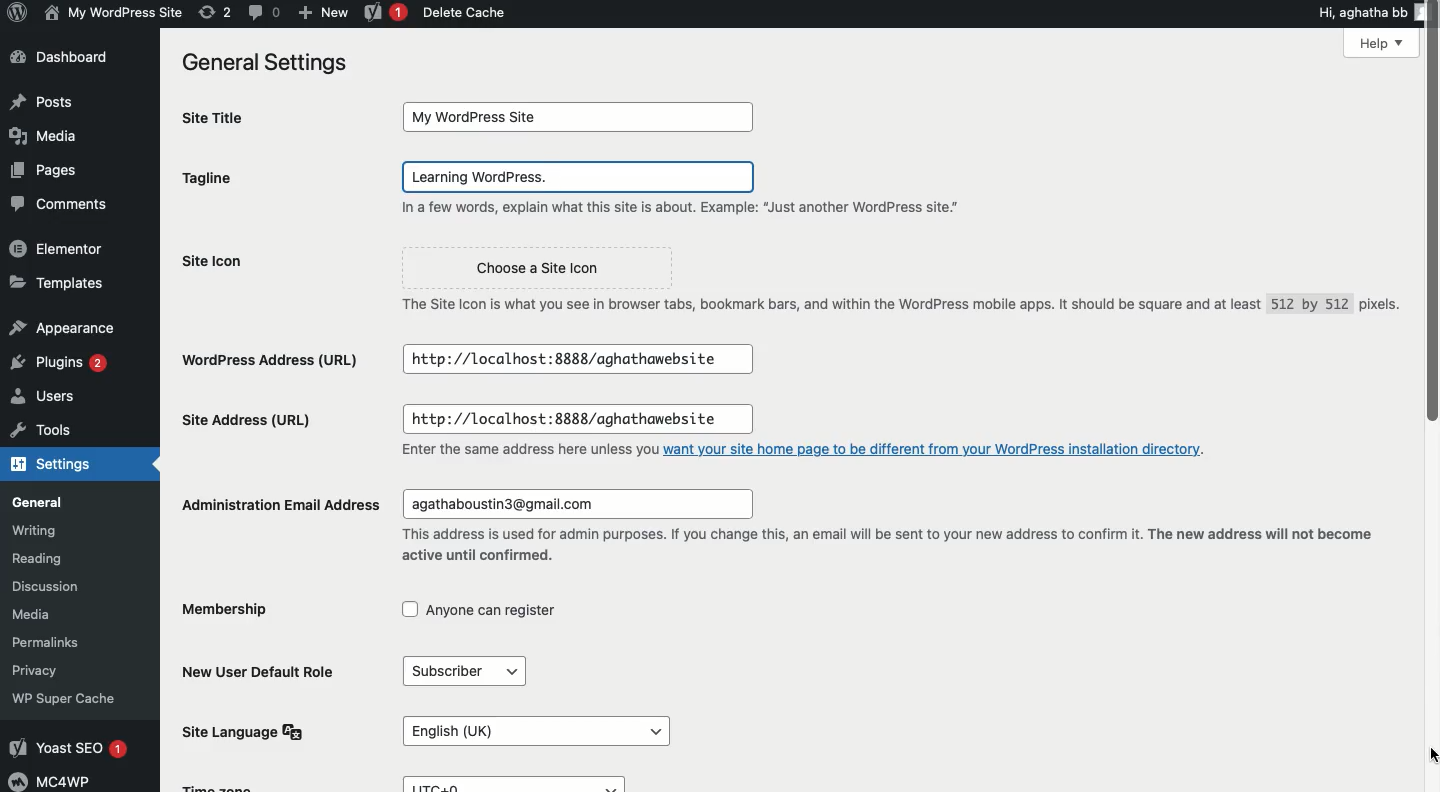 Image resolution: width=1440 pixels, height=792 pixels. What do you see at coordinates (261, 63) in the screenshot?
I see `General settings` at bounding box center [261, 63].